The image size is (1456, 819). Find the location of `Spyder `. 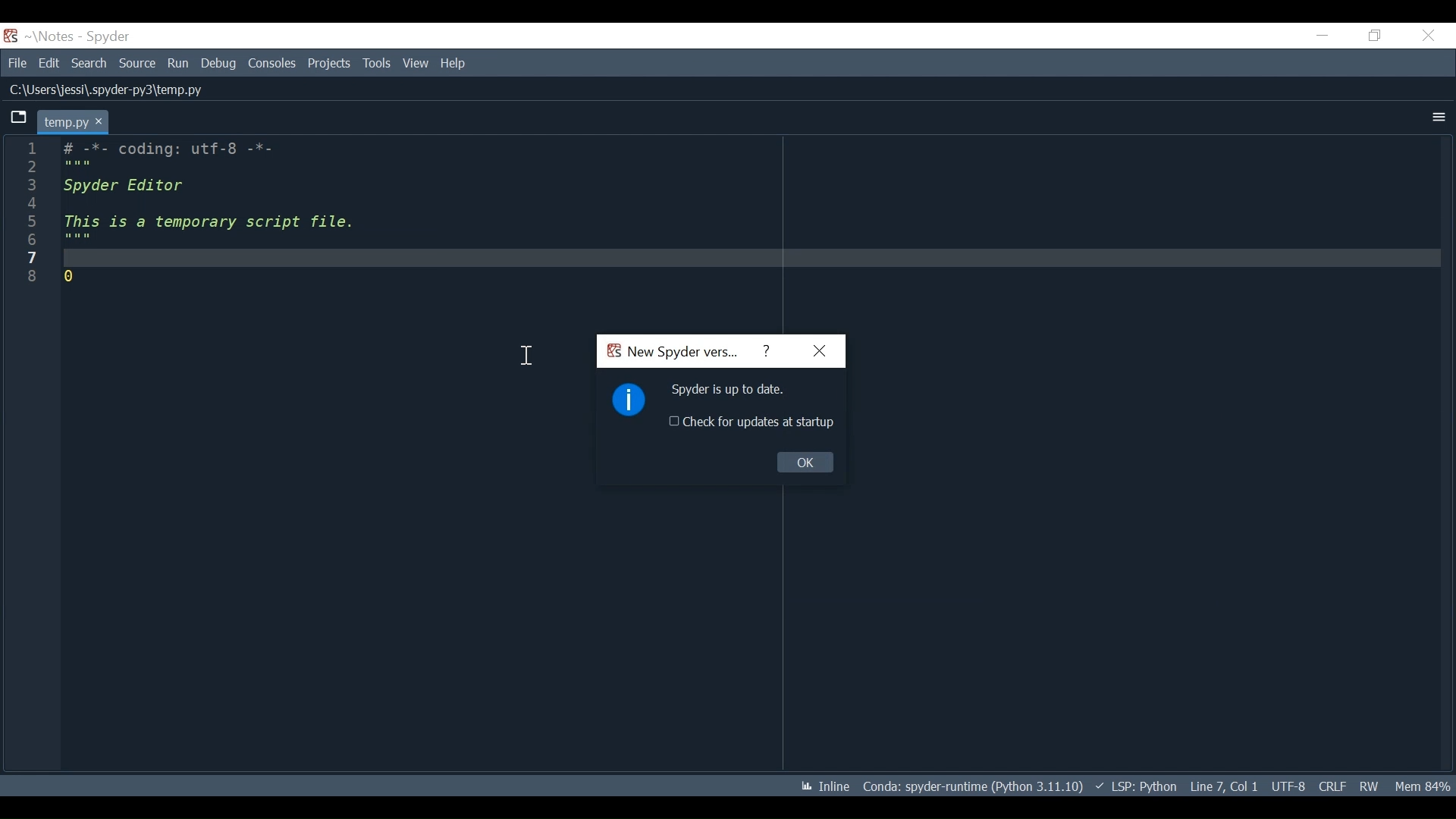

Spyder  is located at coordinates (108, 37).